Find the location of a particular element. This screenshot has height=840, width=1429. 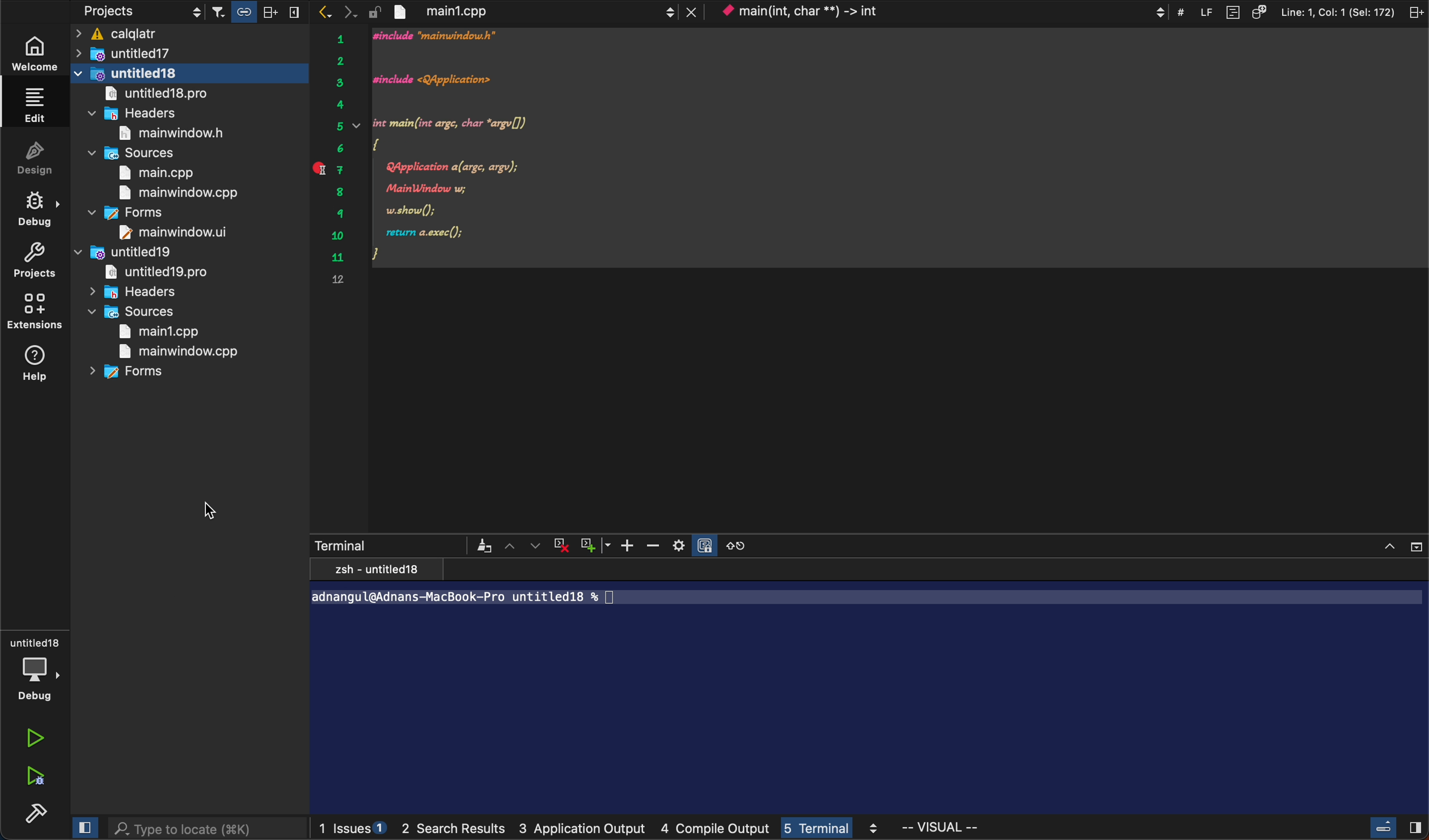

welcome is located at coordinates (38, 51).